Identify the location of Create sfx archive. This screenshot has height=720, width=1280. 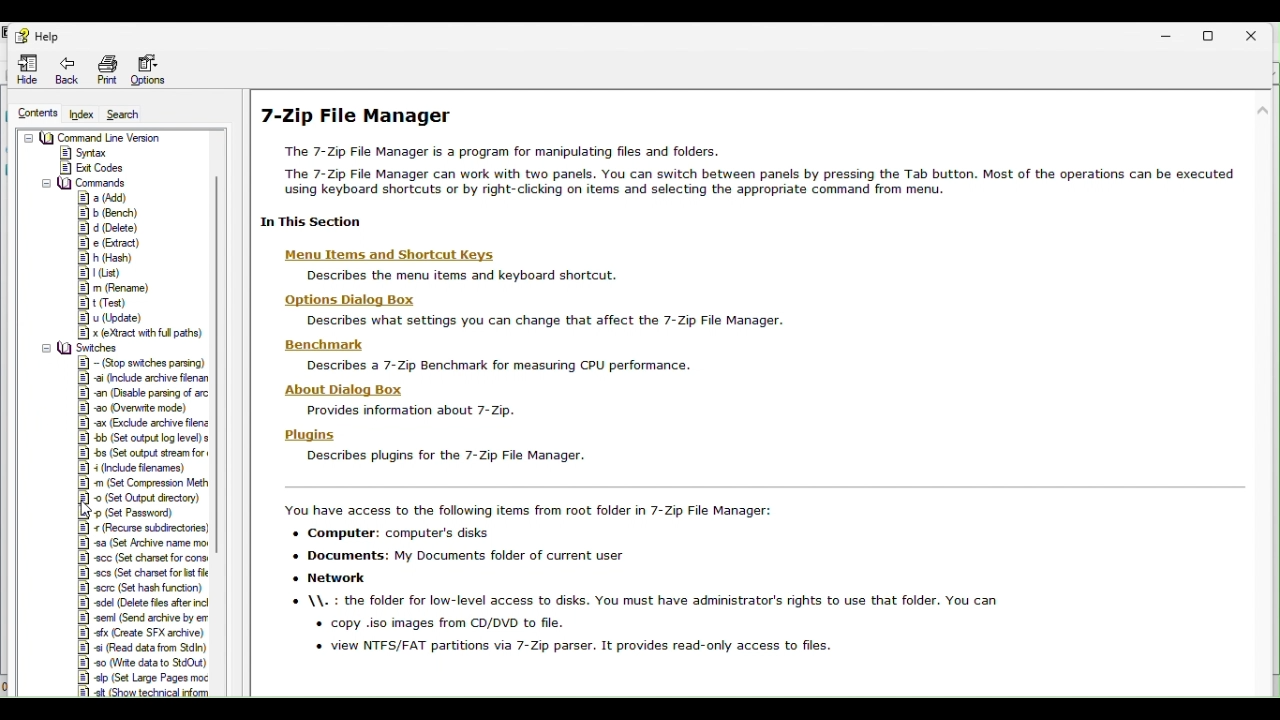
(142, 631).